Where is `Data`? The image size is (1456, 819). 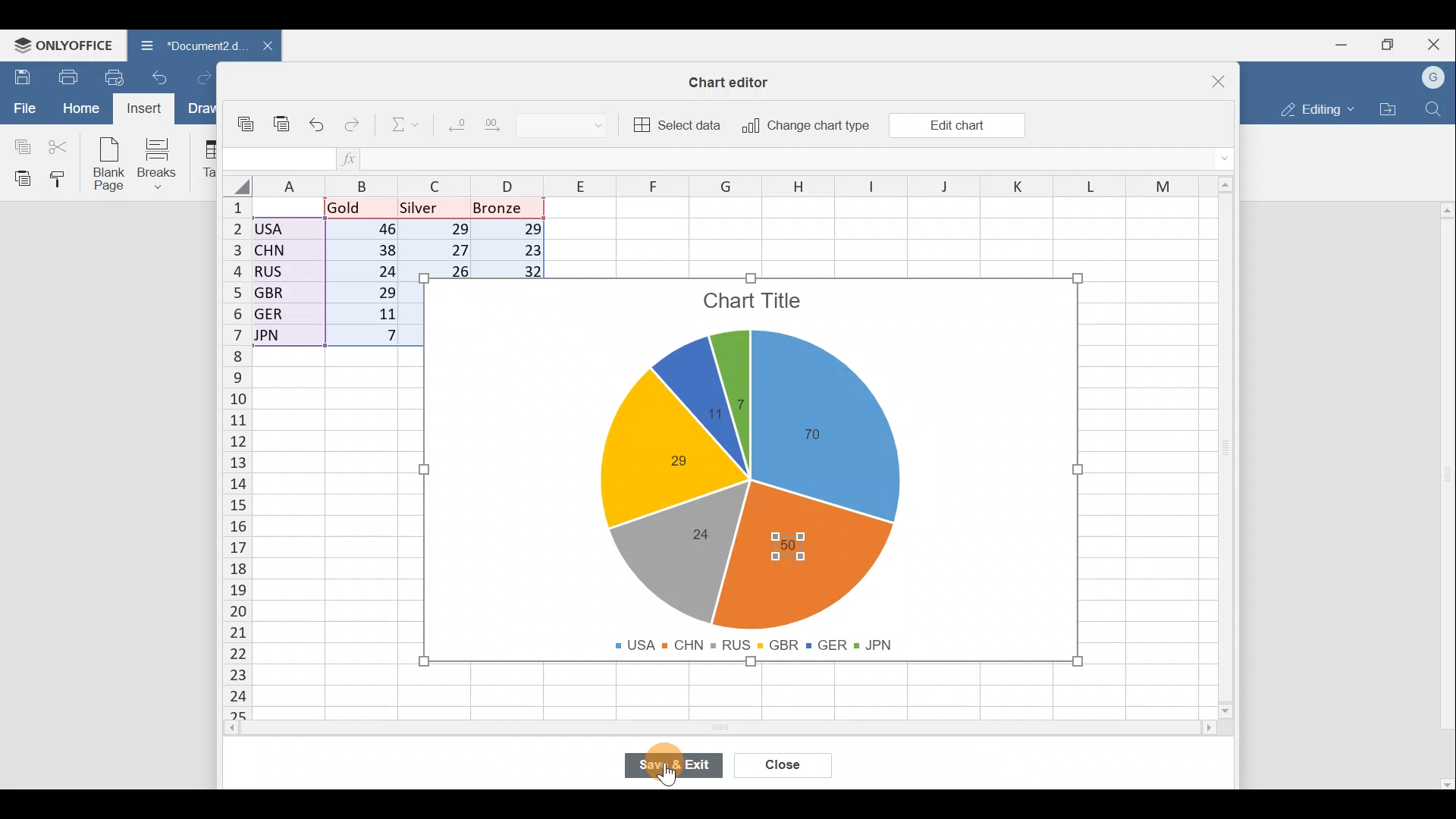 Data is located at coordinates (315, 272).